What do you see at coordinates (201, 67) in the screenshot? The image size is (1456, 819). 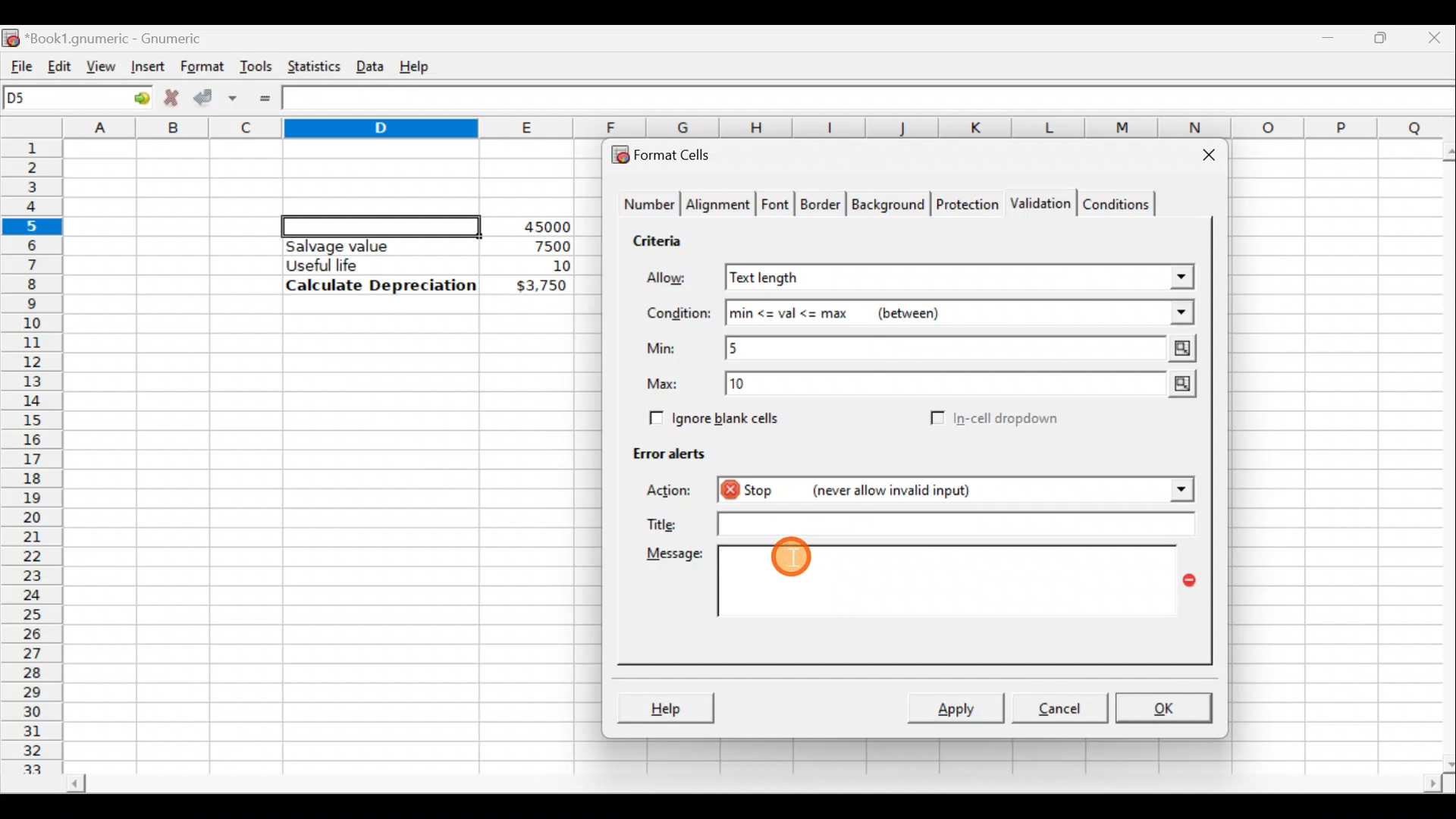 I see `Format` at bounding box center [201, 67].